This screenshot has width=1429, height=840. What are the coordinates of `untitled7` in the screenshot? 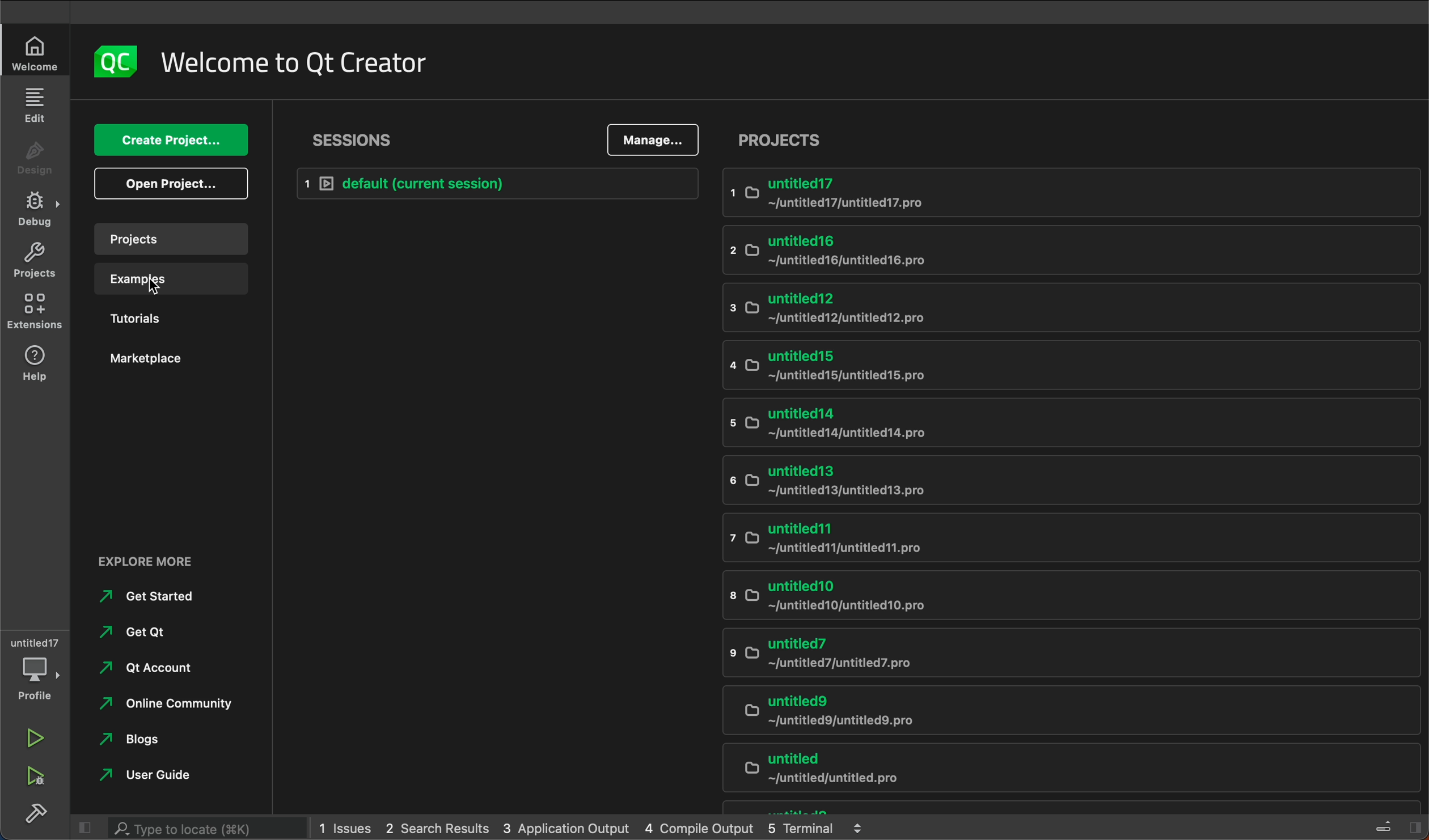 It's located at (1052, 653).